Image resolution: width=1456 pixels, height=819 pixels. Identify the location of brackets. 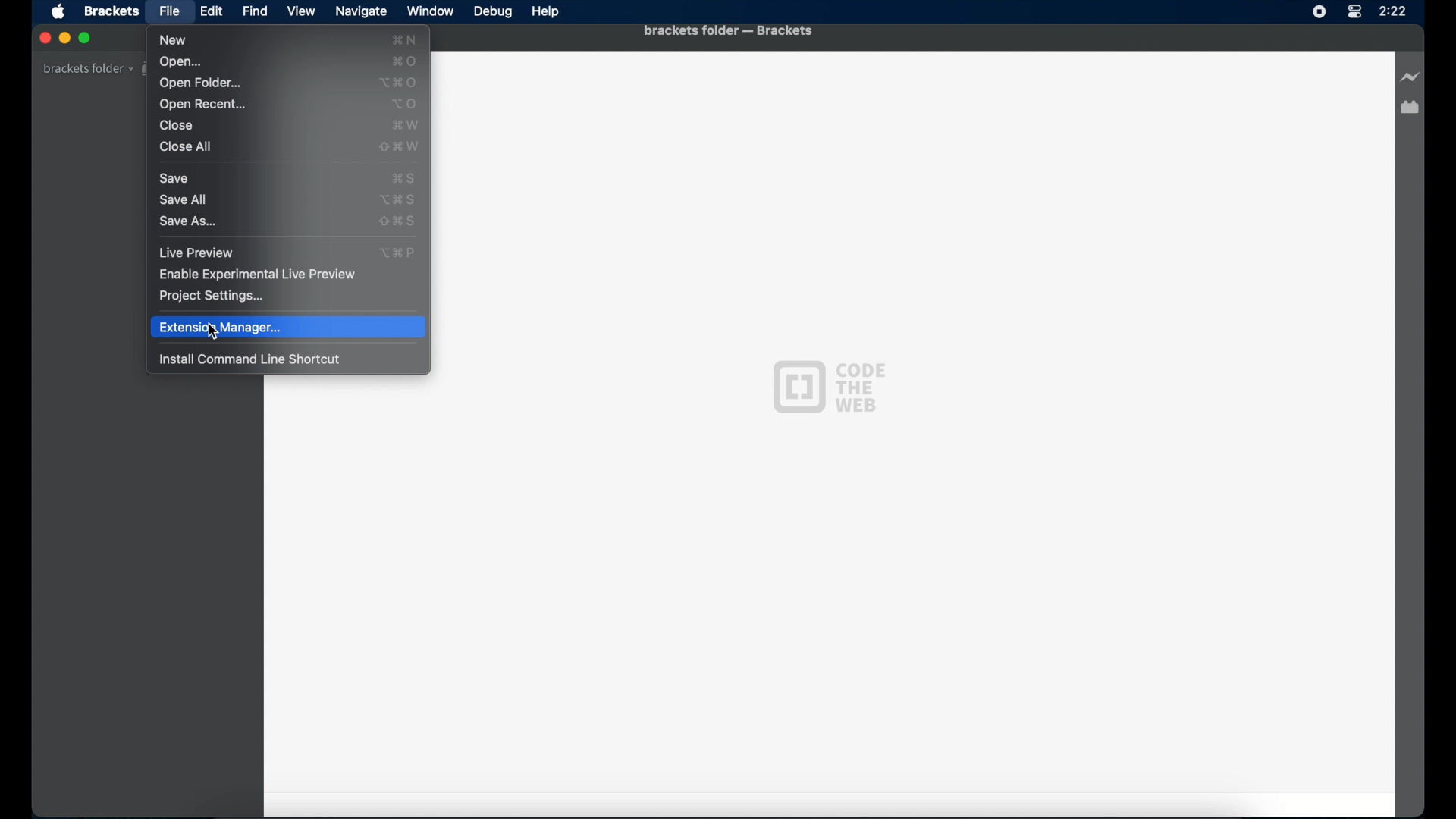
(111, 12).